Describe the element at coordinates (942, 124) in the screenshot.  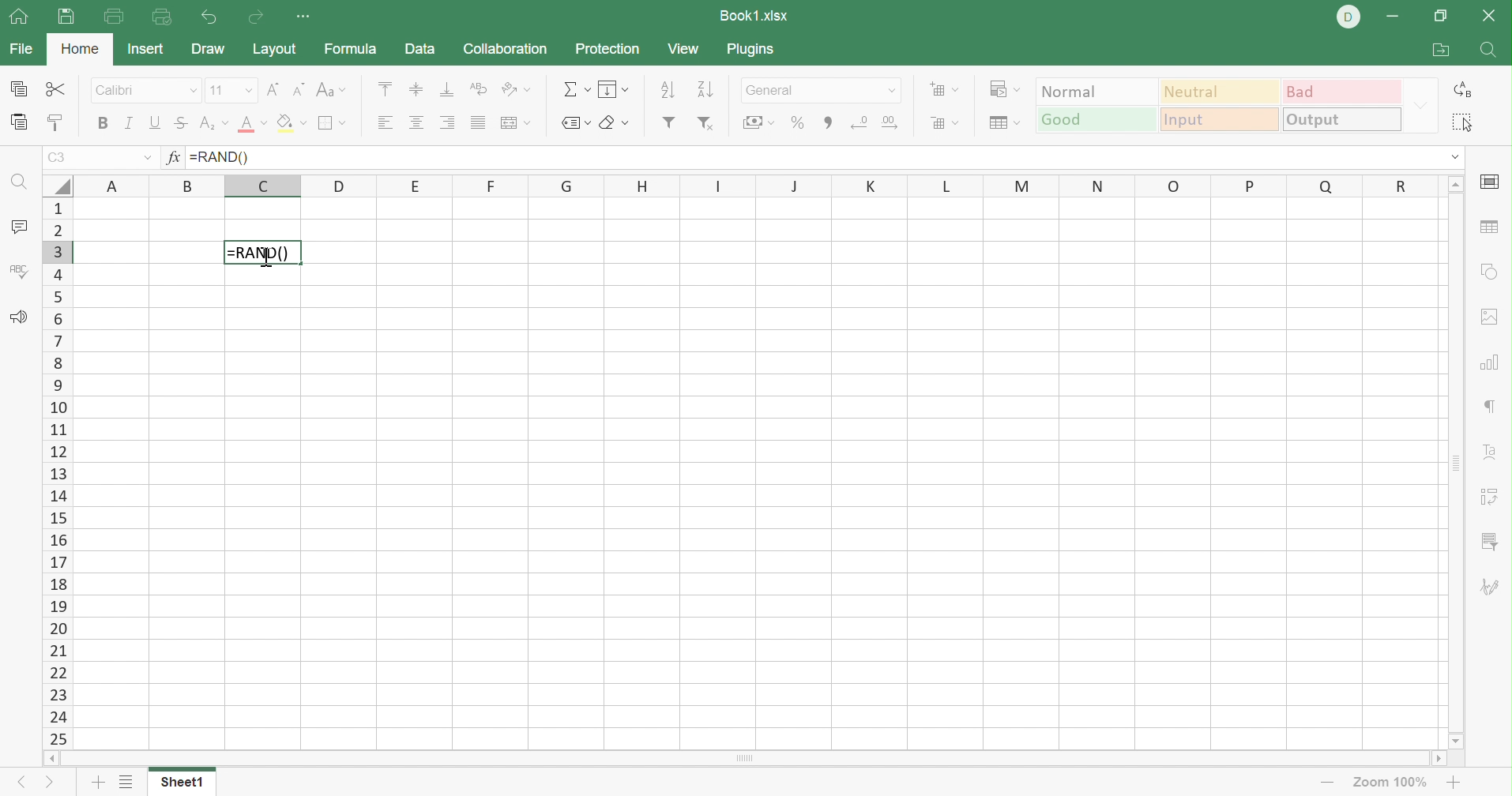
I see `Delete cell` at that location.